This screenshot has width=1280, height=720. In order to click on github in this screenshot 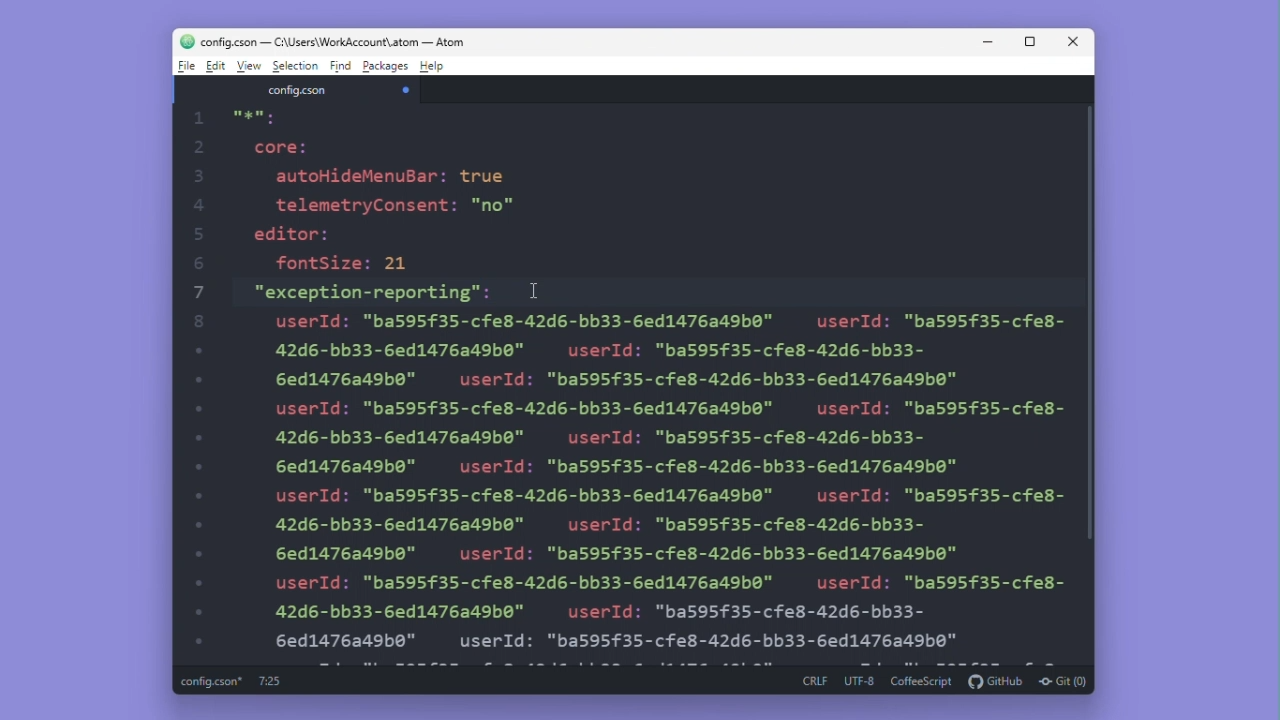, I will do `click(996, 680)`.